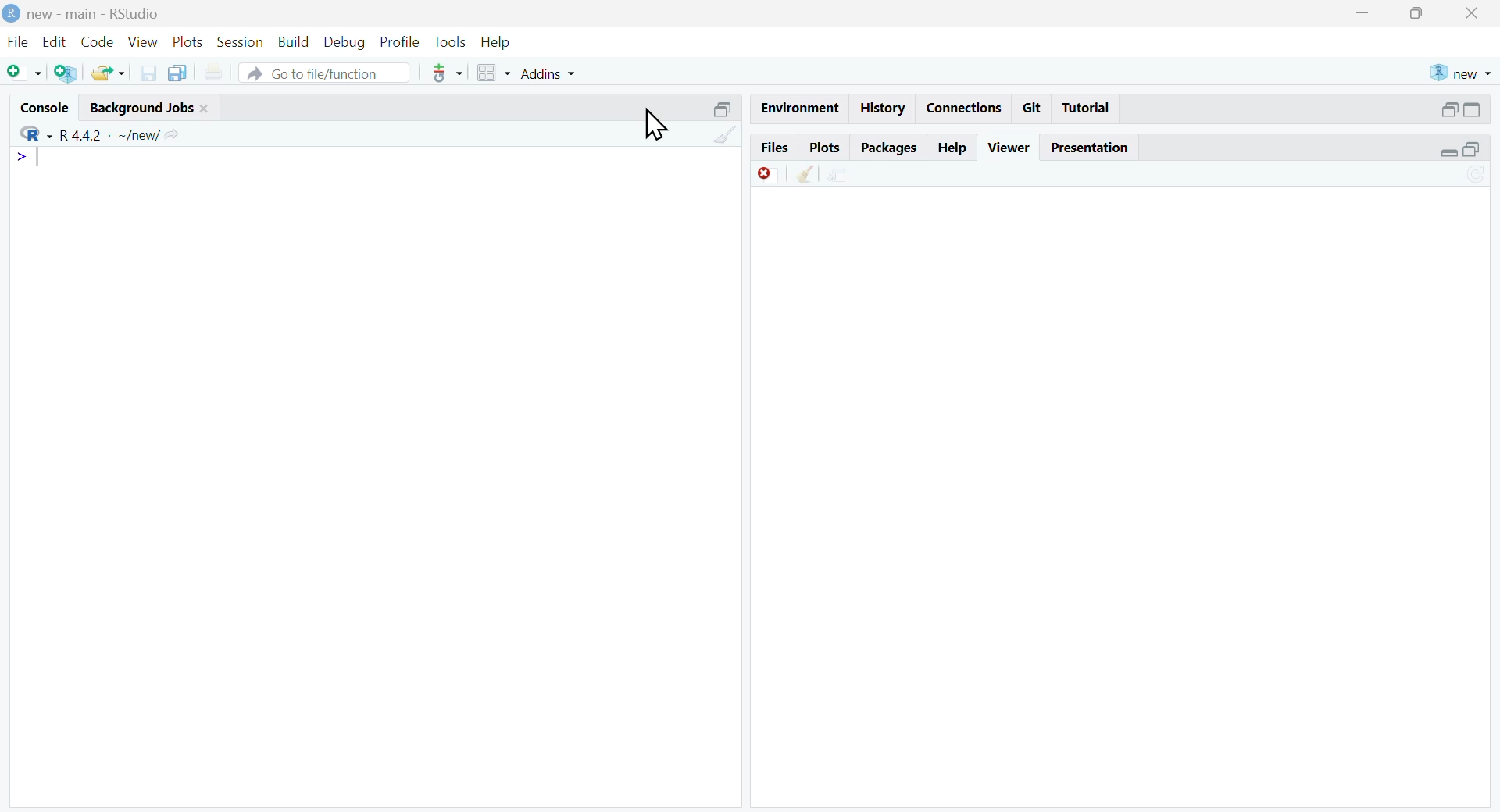 The image size is (1500, 812). I want to click on viewer, so click(1011, 148).